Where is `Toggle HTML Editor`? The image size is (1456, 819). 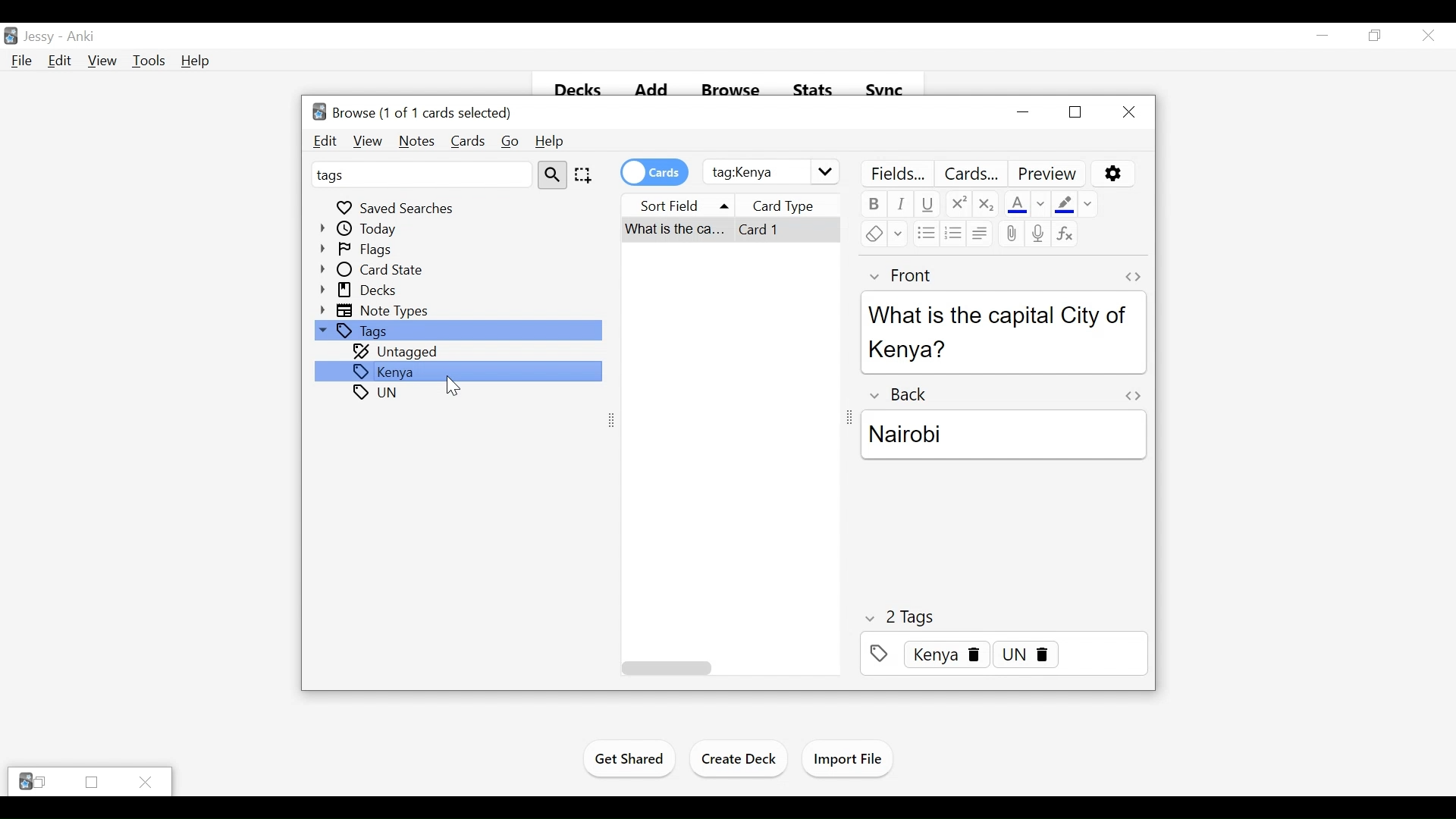 Toggle HTML Editor is located at coordinates (1132, 395).